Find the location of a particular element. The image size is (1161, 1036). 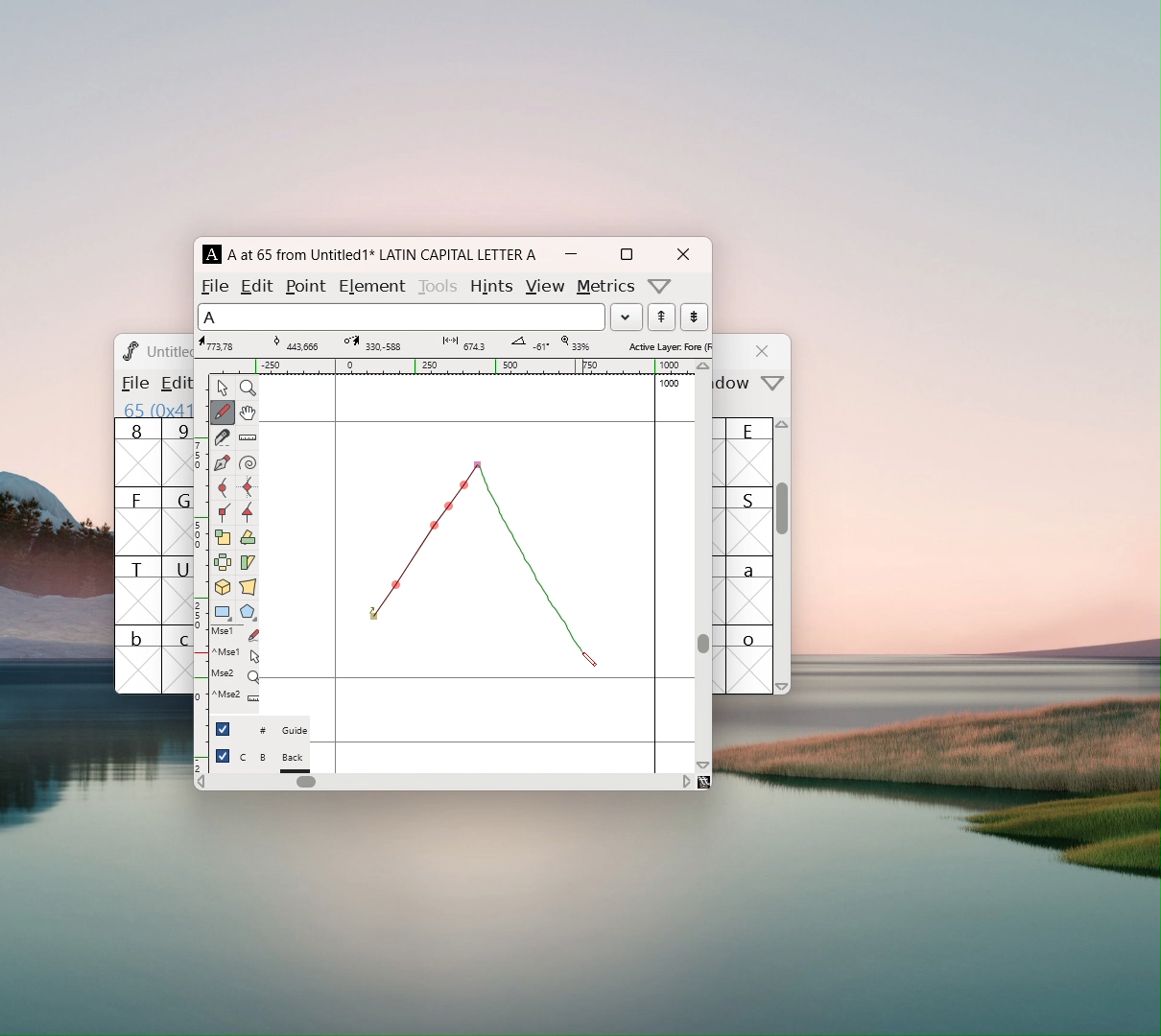

scroll down is located at coordinates (703, 765).